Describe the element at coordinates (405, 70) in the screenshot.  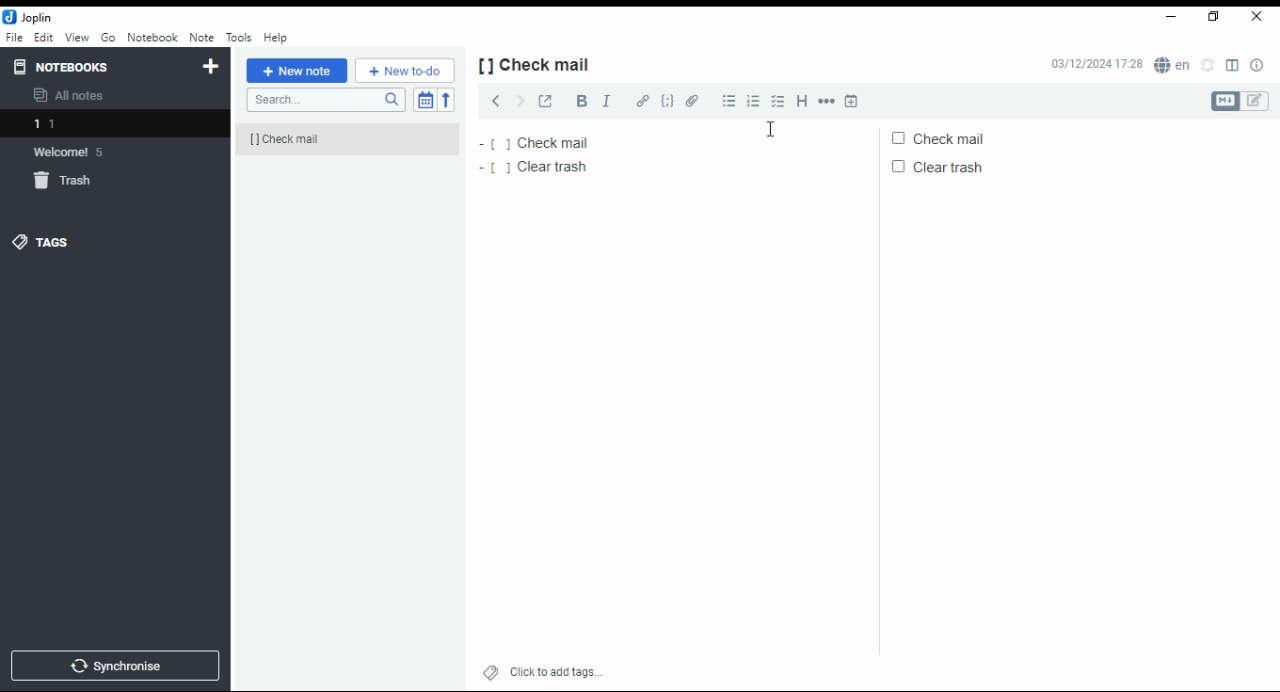
I see `New to-do` at that location.